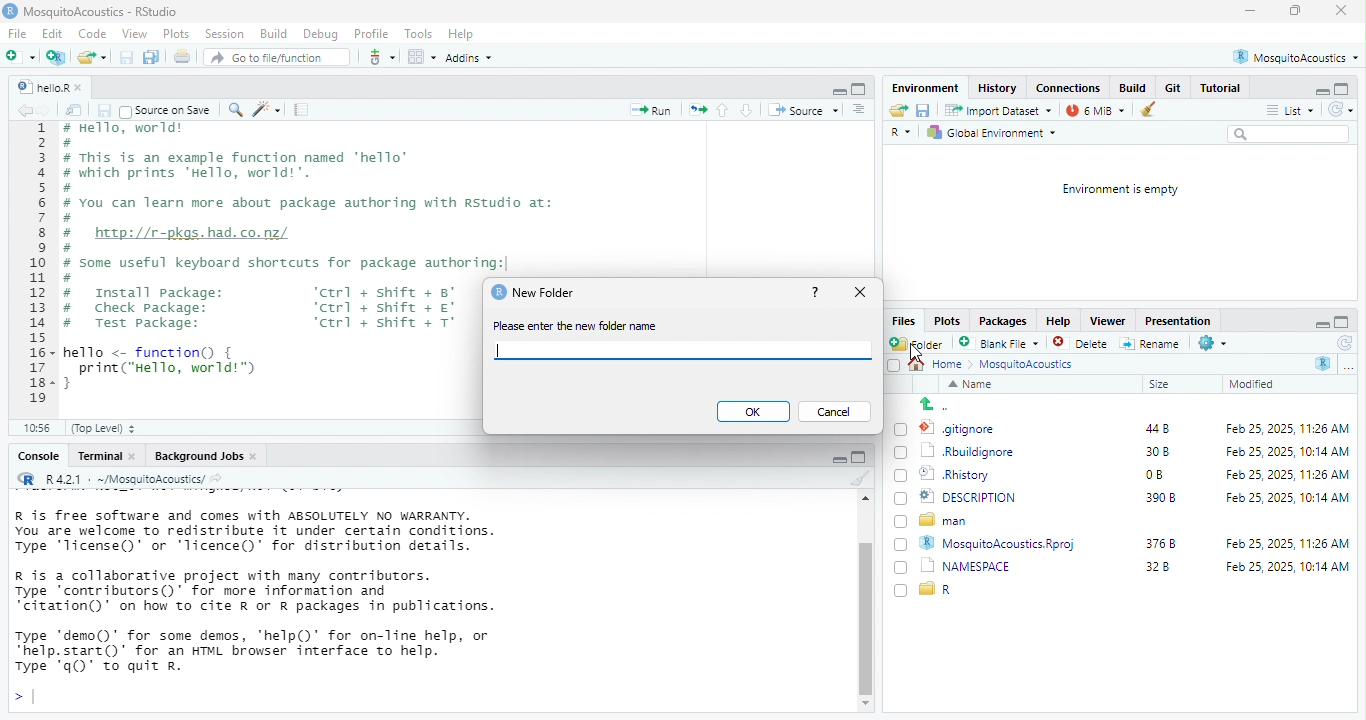 Image resolution: width=1366 pixels, height=720 pixels. Describe the element at coordinates (418, 32) in the screenshot. I see `Tools` at that location.